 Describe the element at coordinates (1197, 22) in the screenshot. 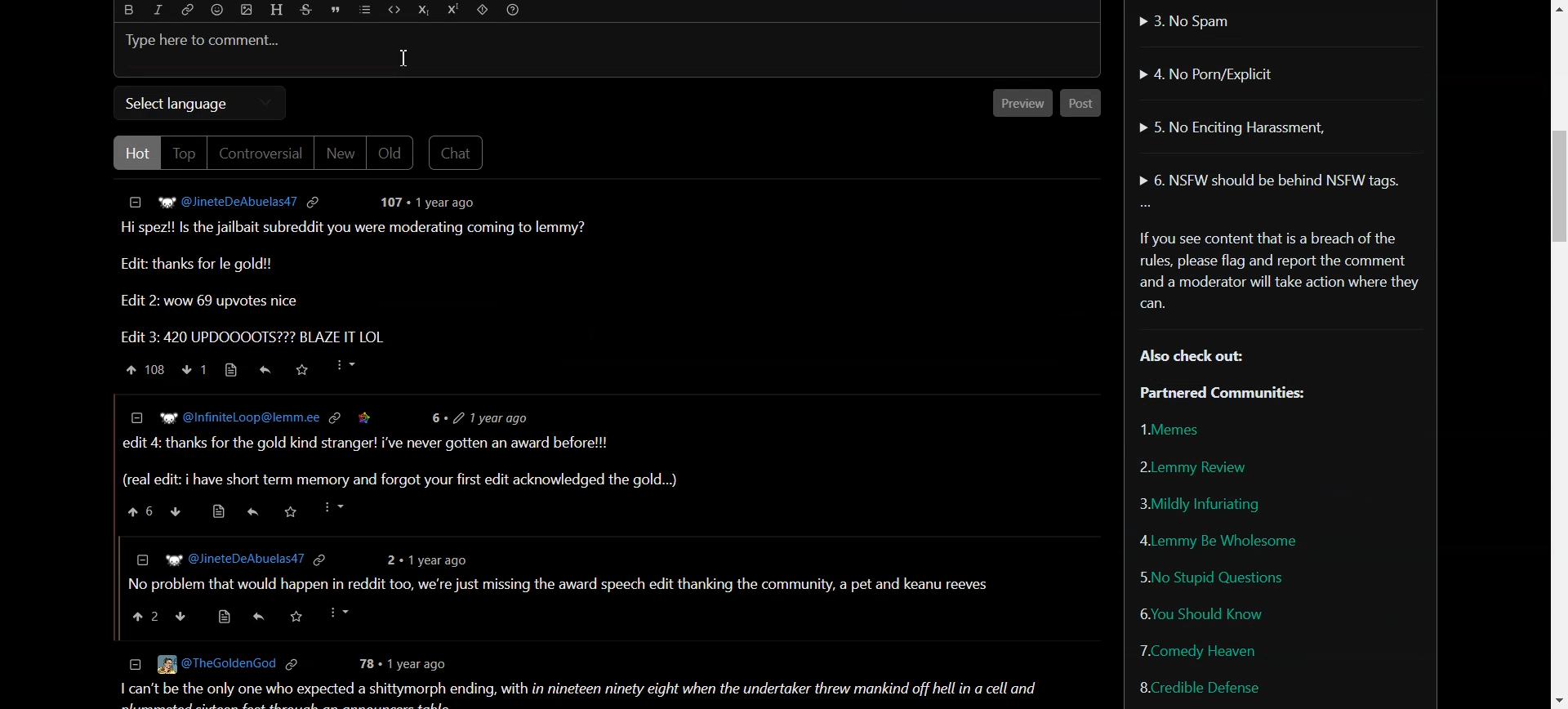

I see `No Spam` at that location.